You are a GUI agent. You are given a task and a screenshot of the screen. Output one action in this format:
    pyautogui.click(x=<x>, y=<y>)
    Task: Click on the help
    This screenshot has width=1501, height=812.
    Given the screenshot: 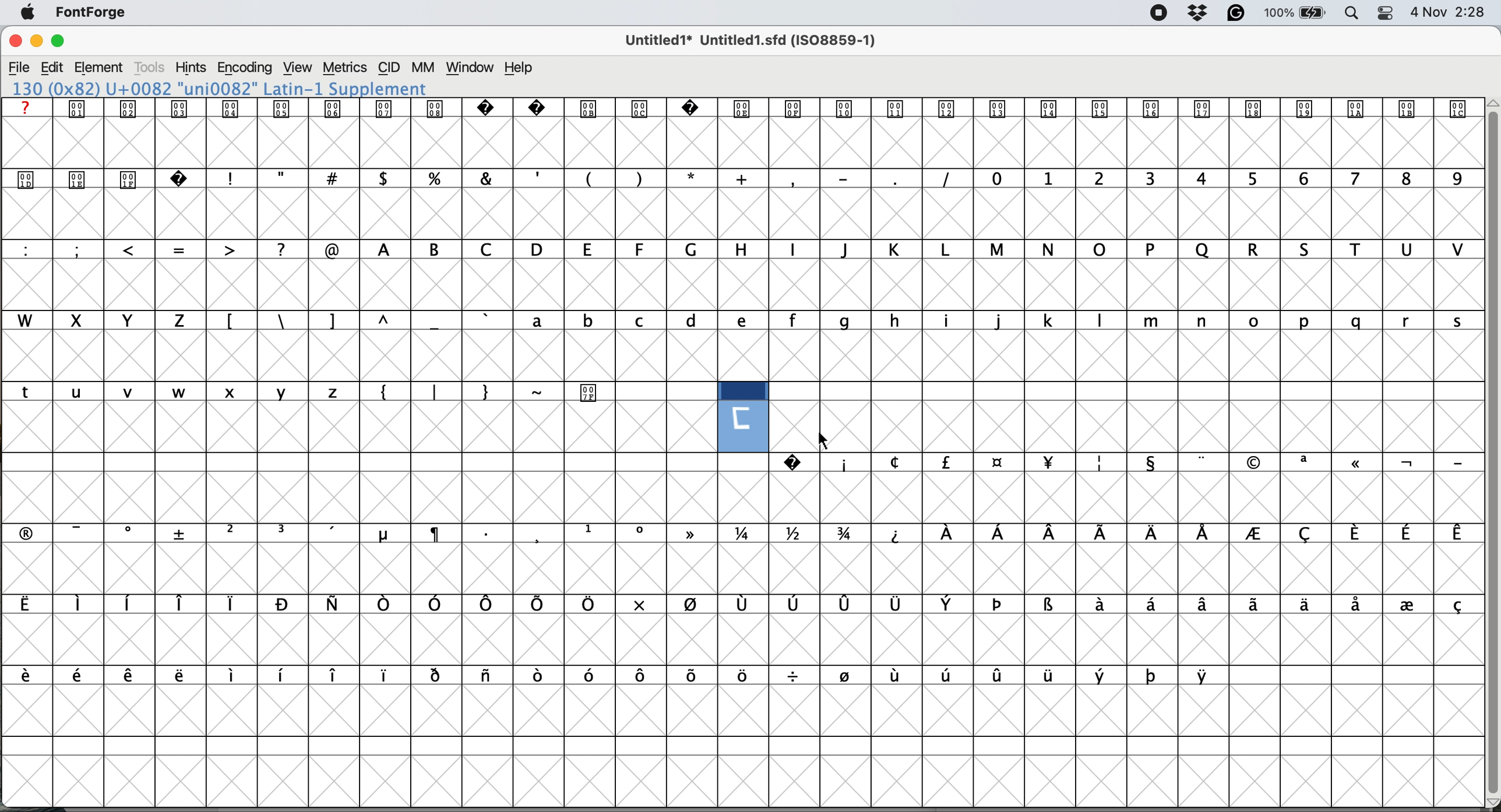 What is the action you would take?
    pyautogui.click(x=522, y=68)
    